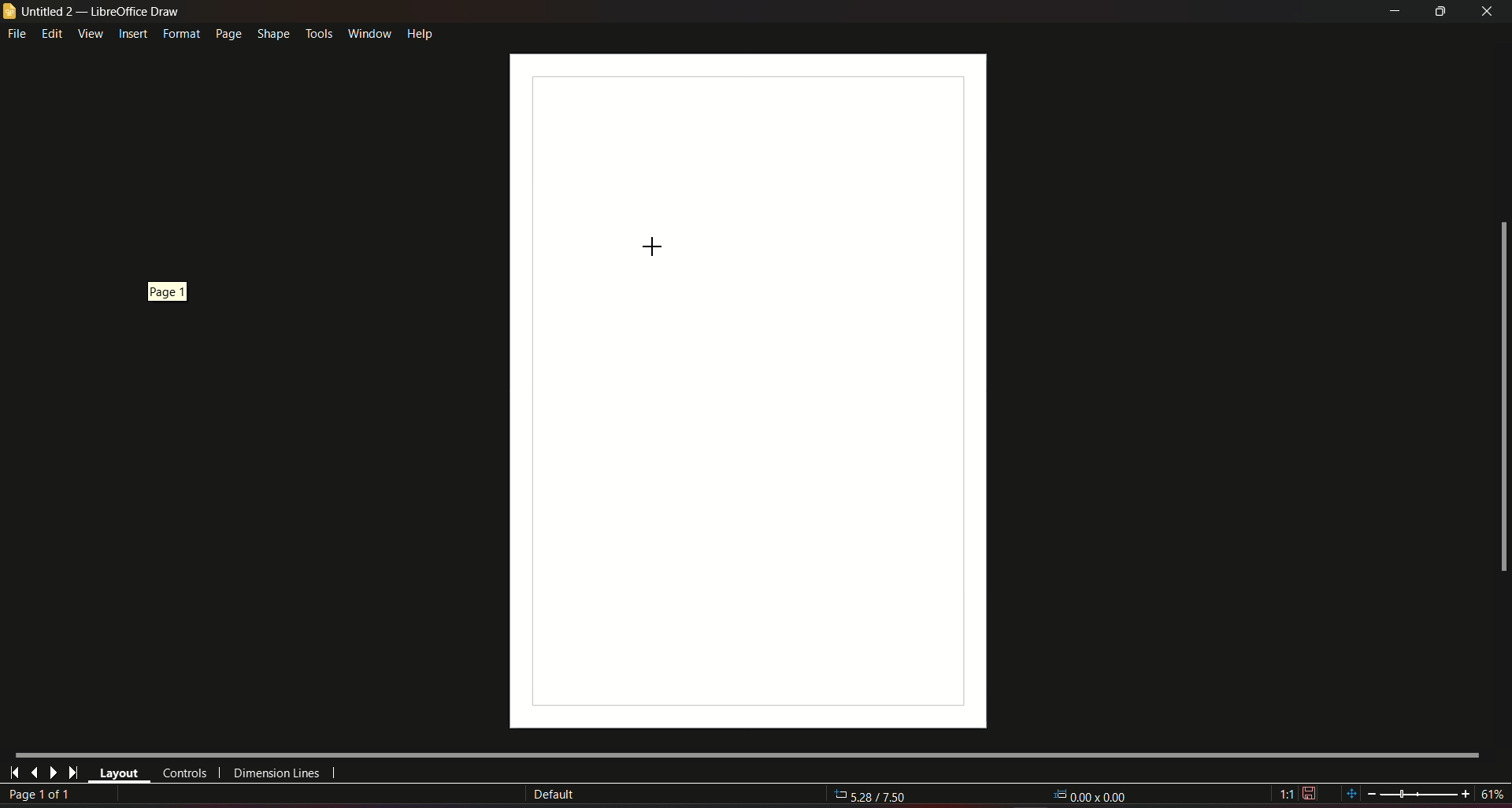 The width and height of the screenshot is (1512, 808). I want to click on page, so click(227, 34).